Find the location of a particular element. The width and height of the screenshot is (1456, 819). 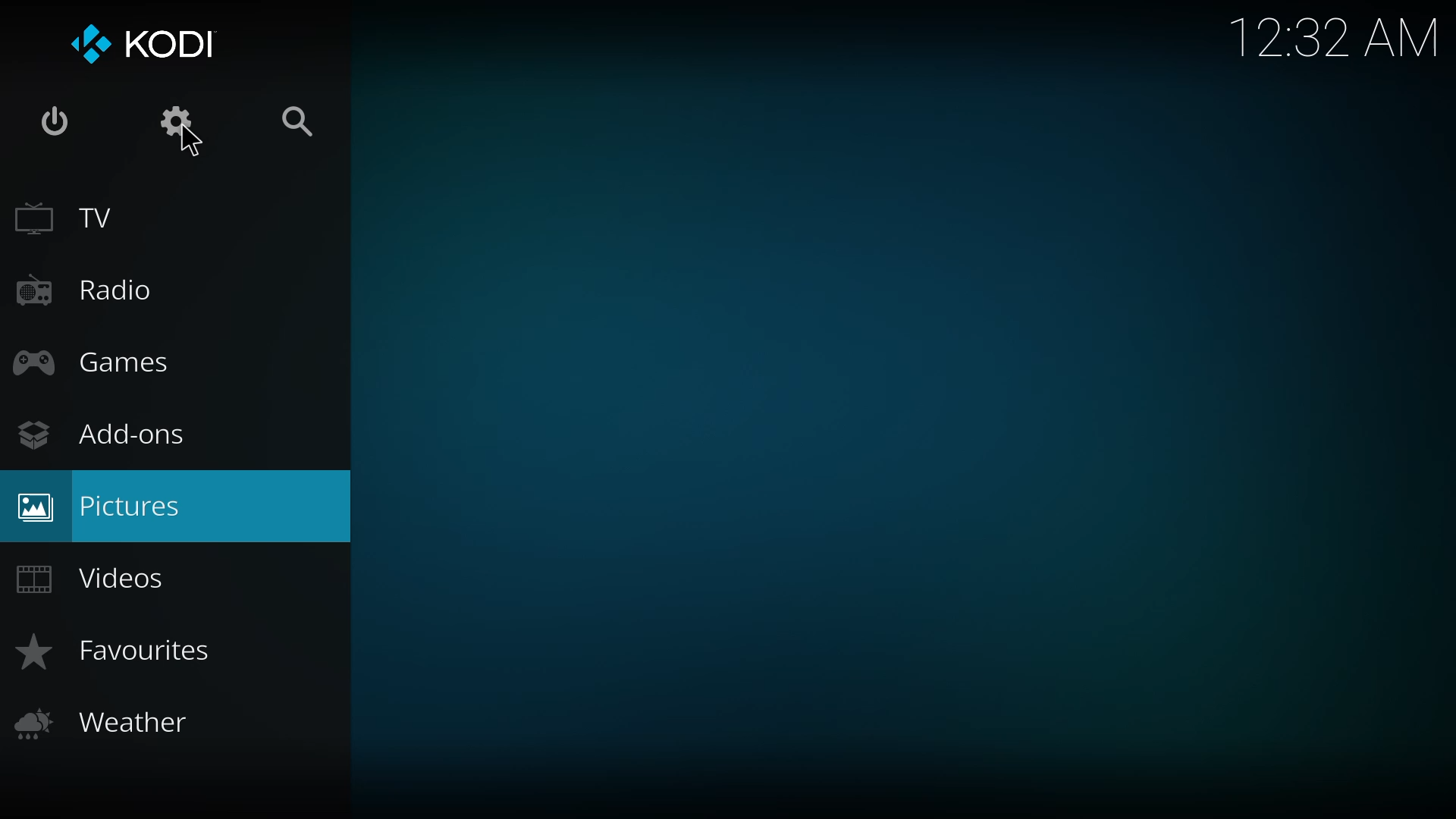

cursor is located at coordinates (190, 142).